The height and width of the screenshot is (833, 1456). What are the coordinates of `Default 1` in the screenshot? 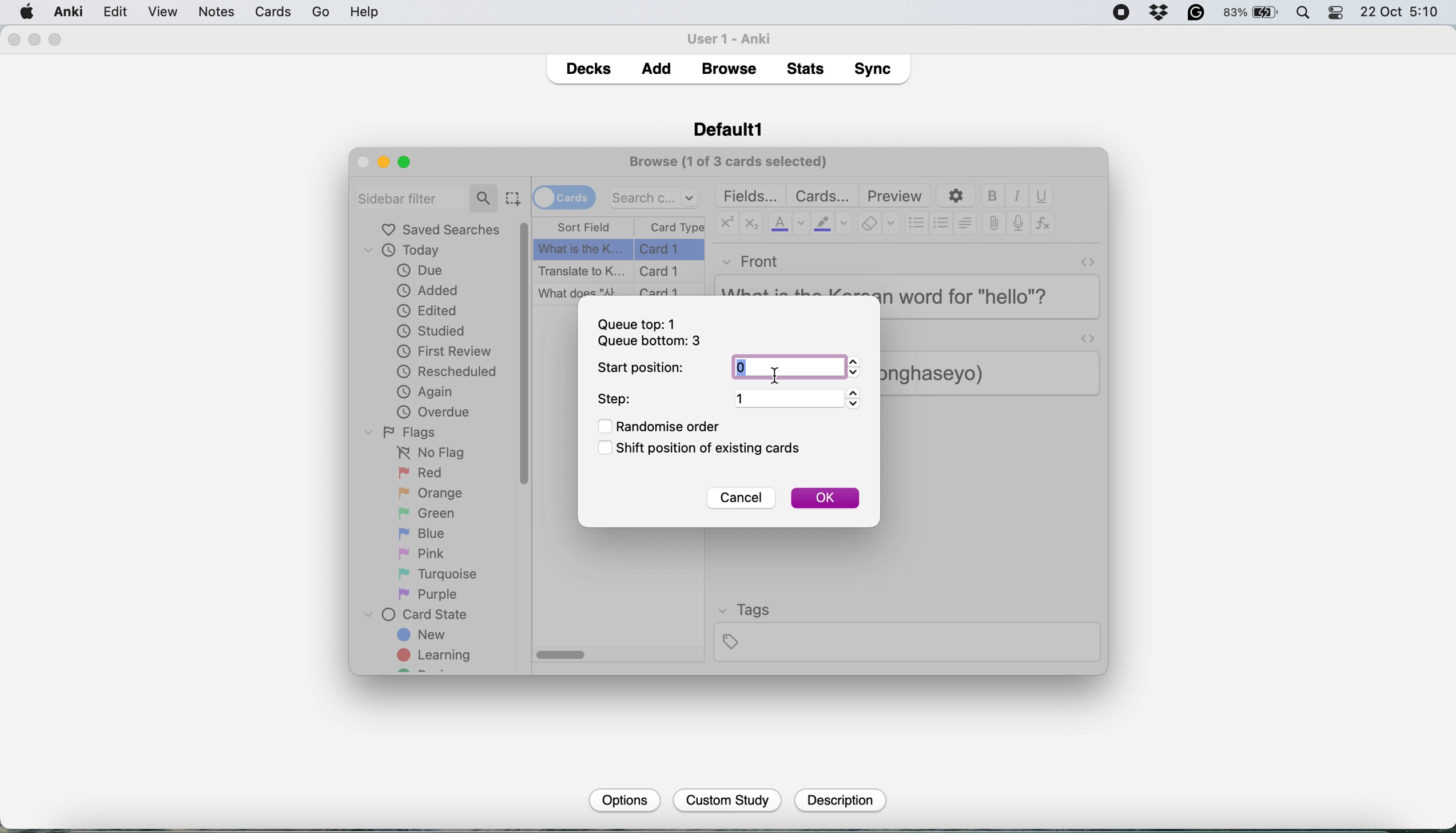 It's located at (728, 128).